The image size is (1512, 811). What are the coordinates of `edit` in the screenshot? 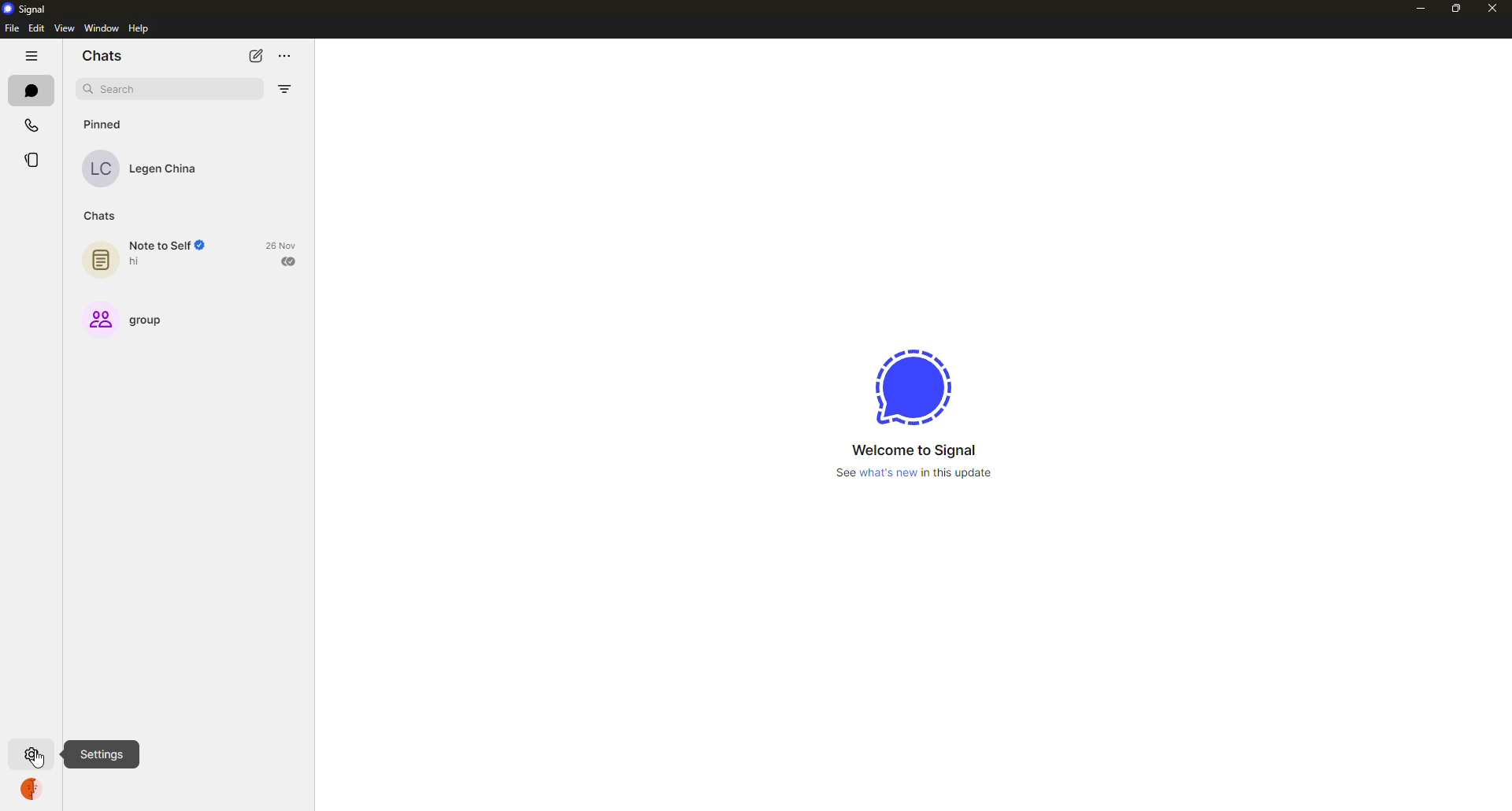 It's located at (35, 30).